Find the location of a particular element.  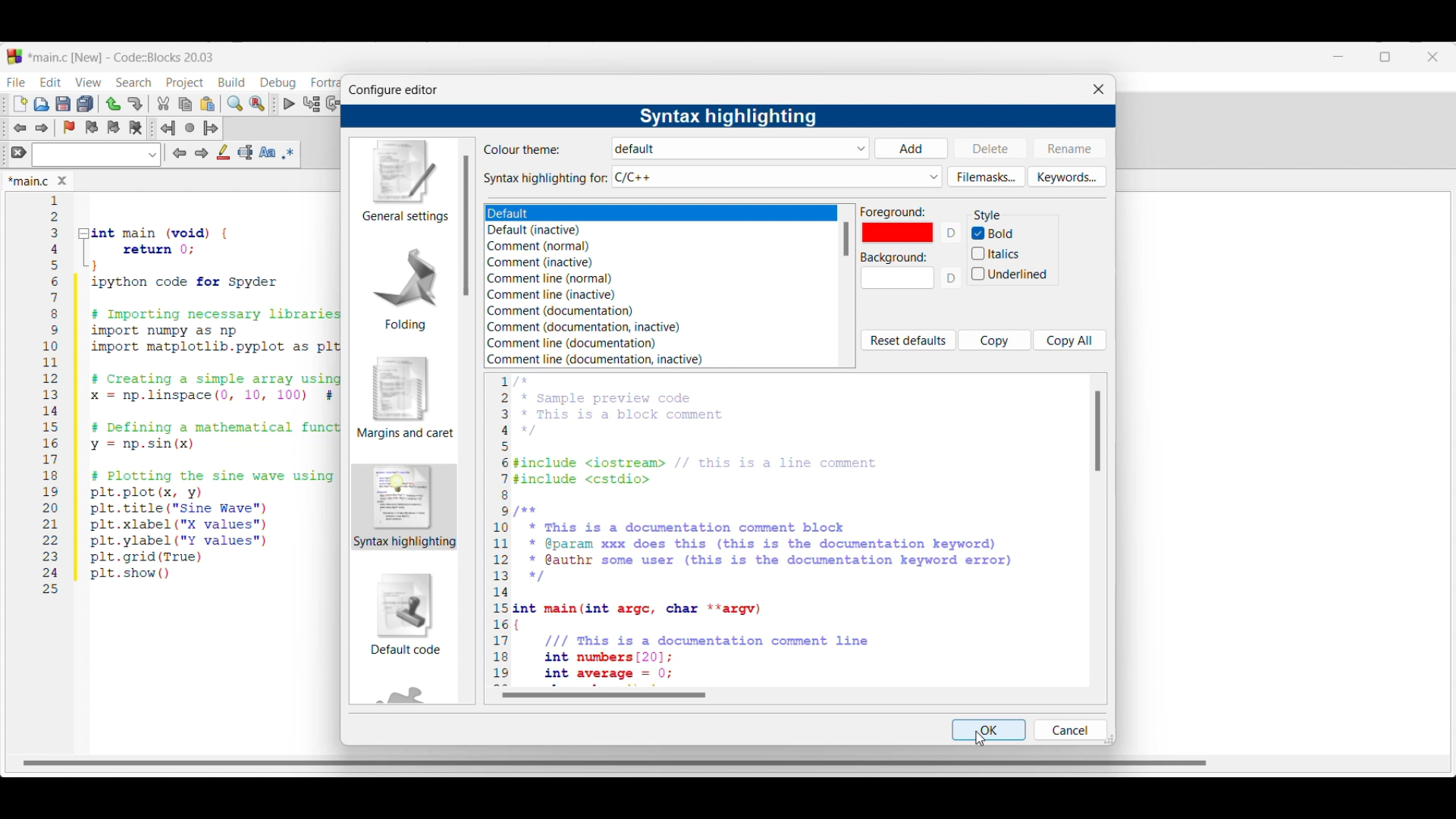

Vertical slide bar is located at coordinates (846, 239).